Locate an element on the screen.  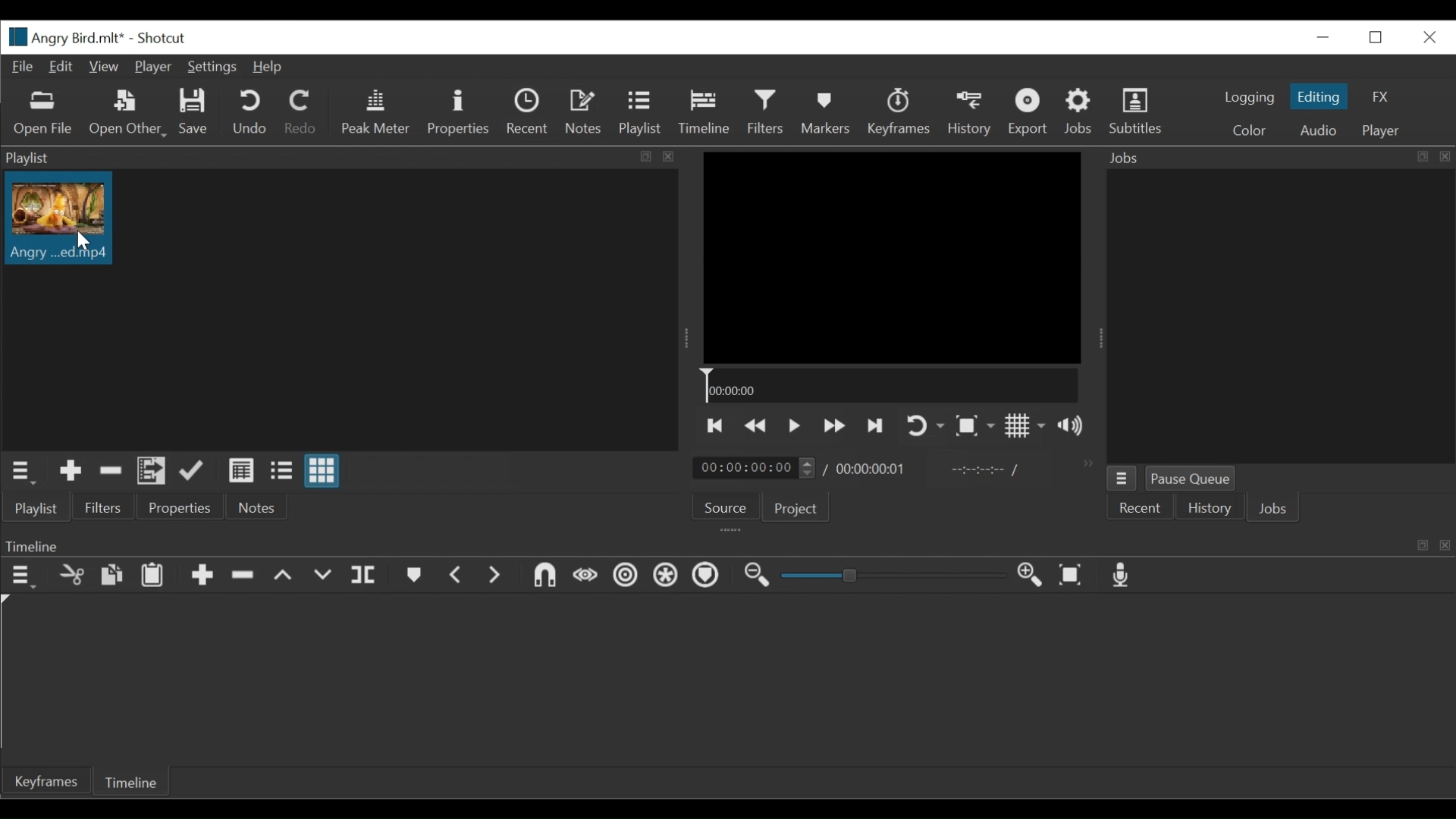
Close is located at coordinates (1326, 36).